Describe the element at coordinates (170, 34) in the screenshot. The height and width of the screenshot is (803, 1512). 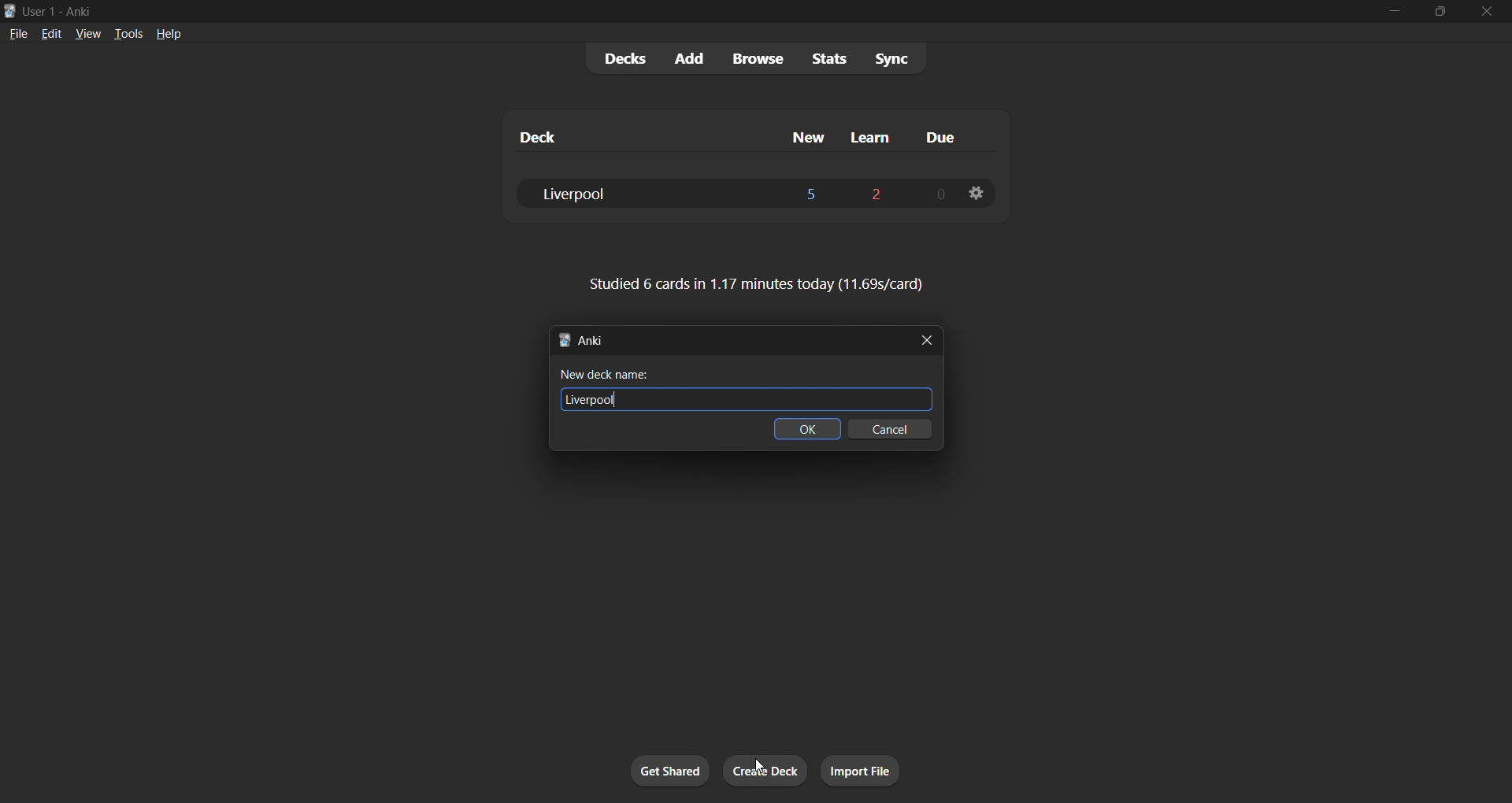
I see `help` at that location.